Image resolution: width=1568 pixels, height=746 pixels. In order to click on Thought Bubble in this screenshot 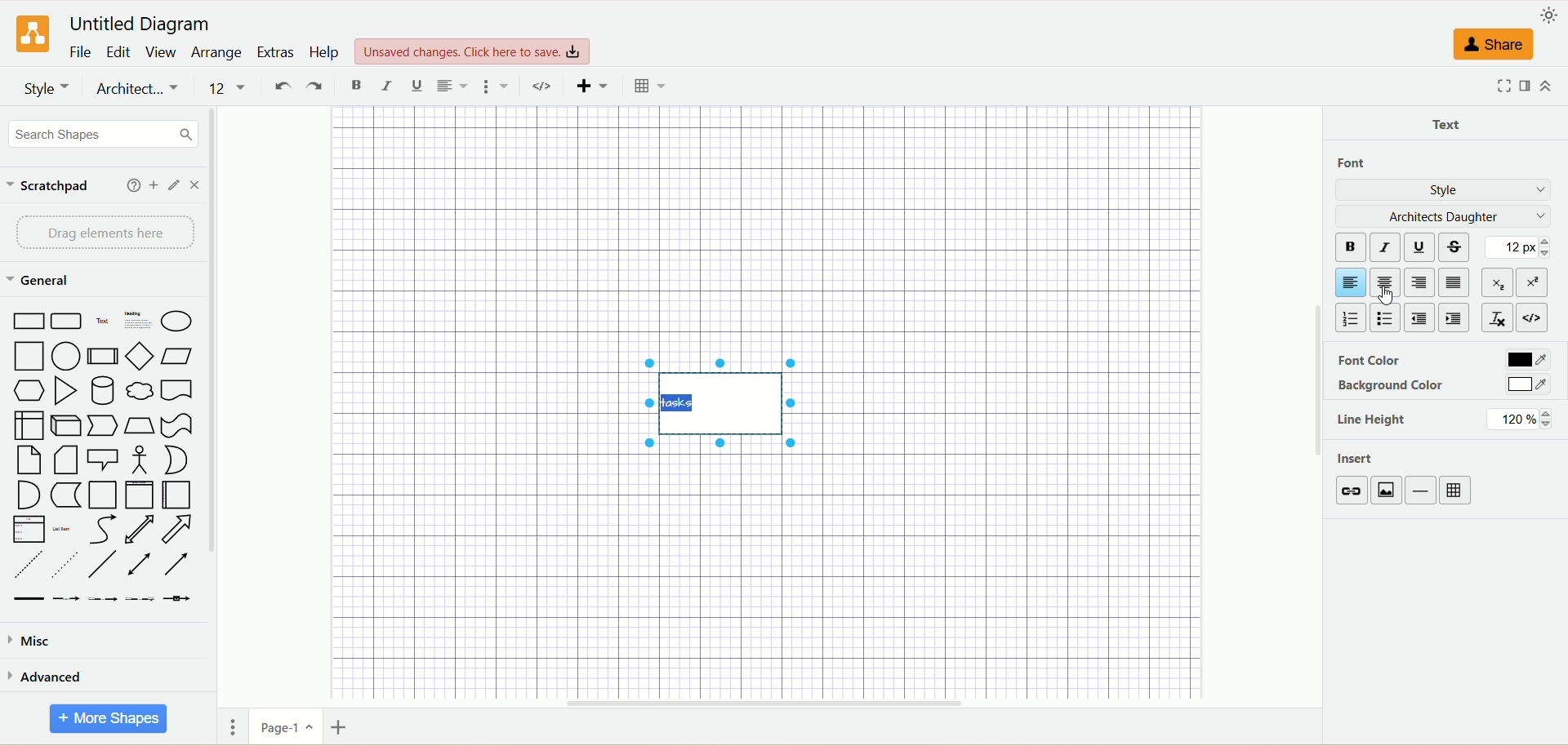, I will do `click(141, 393)`.